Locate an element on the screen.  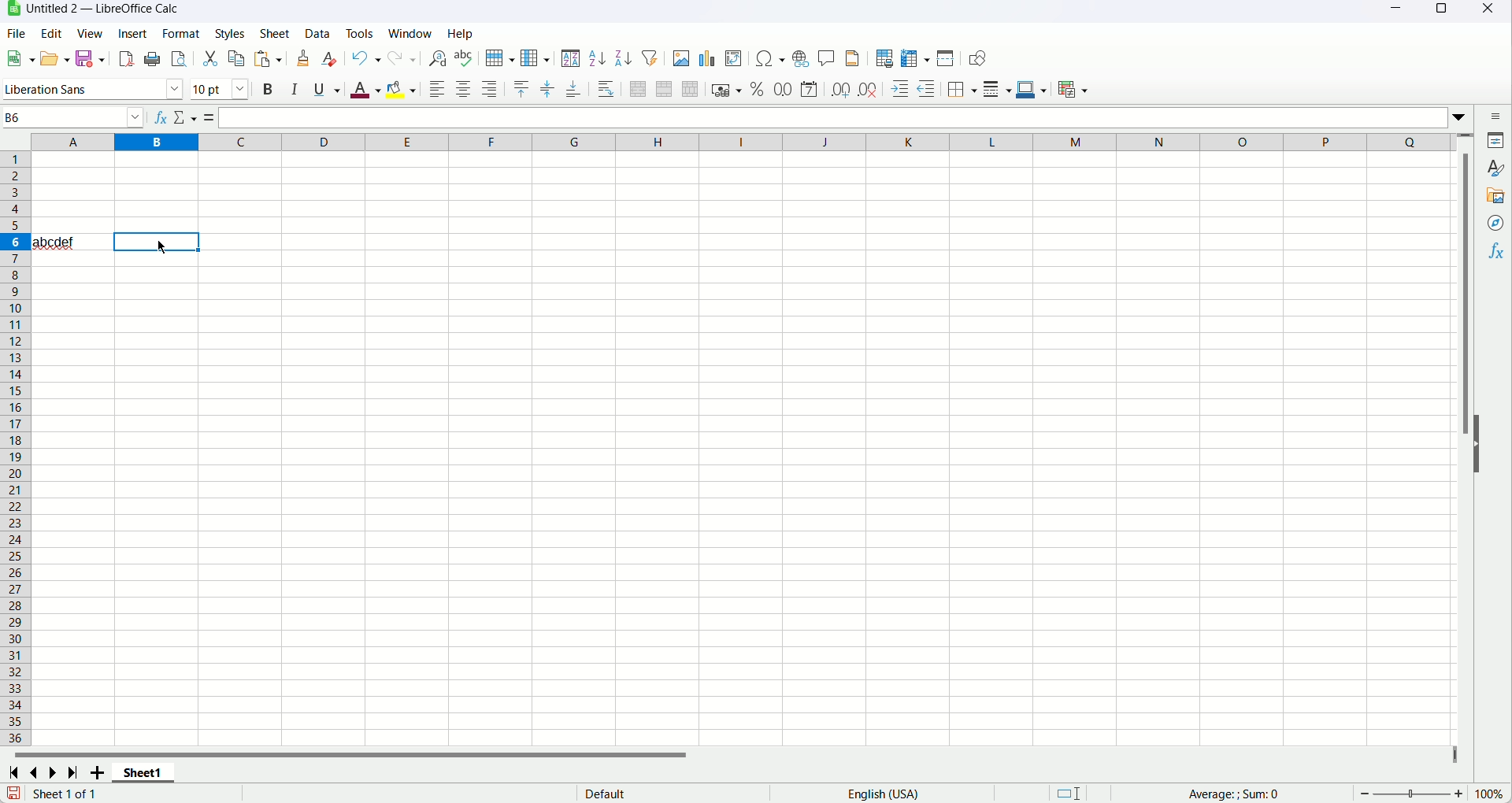
100% is located at coordinates (1488, 794).